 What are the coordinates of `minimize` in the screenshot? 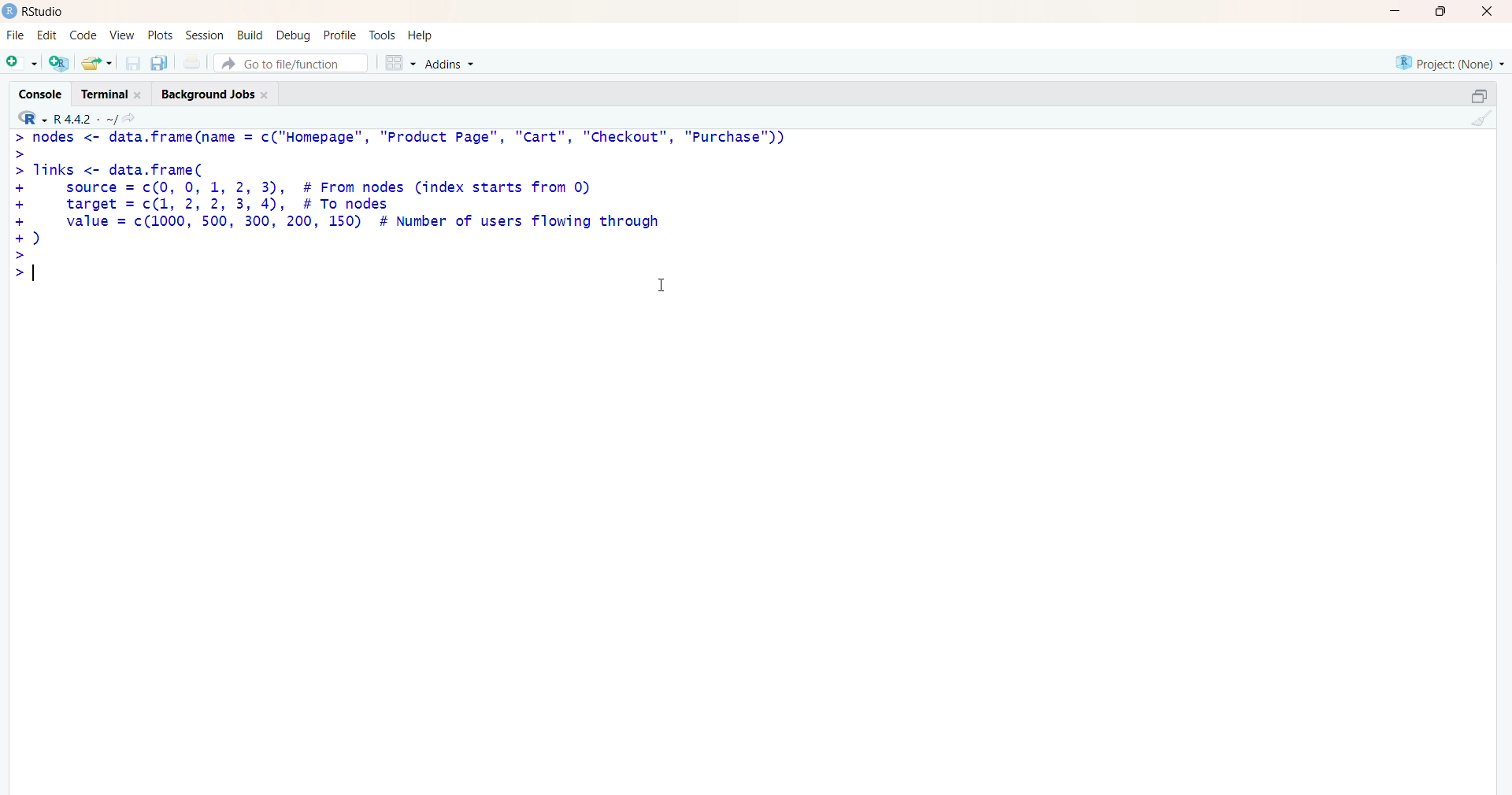 It's located at (1392, 12).